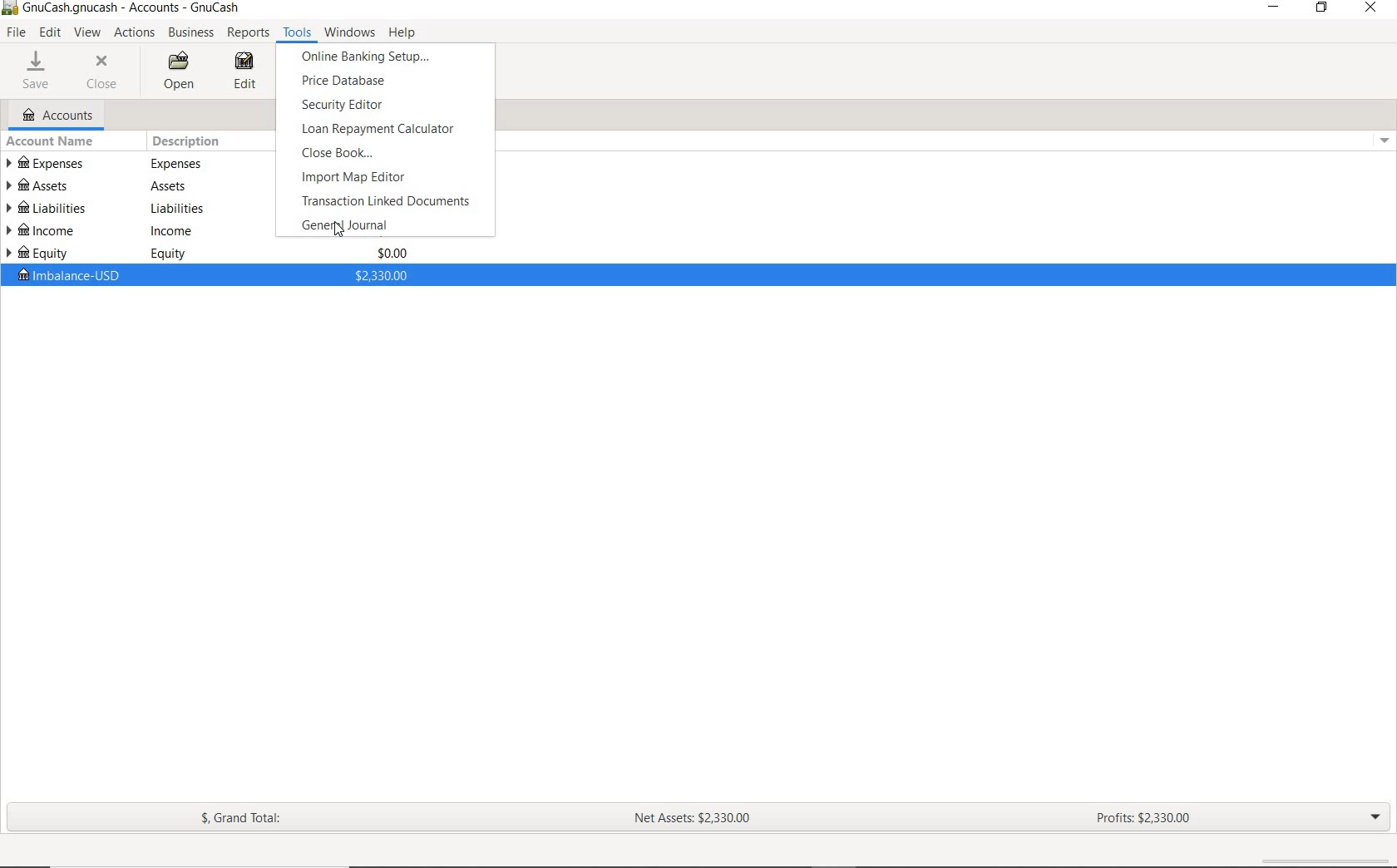 The height and width of the screenshot is (868, 1397). What do you see at coordinates (140, 208) in the screenshot?
I see `LIABILITIES` at bounding box center [140, 208].